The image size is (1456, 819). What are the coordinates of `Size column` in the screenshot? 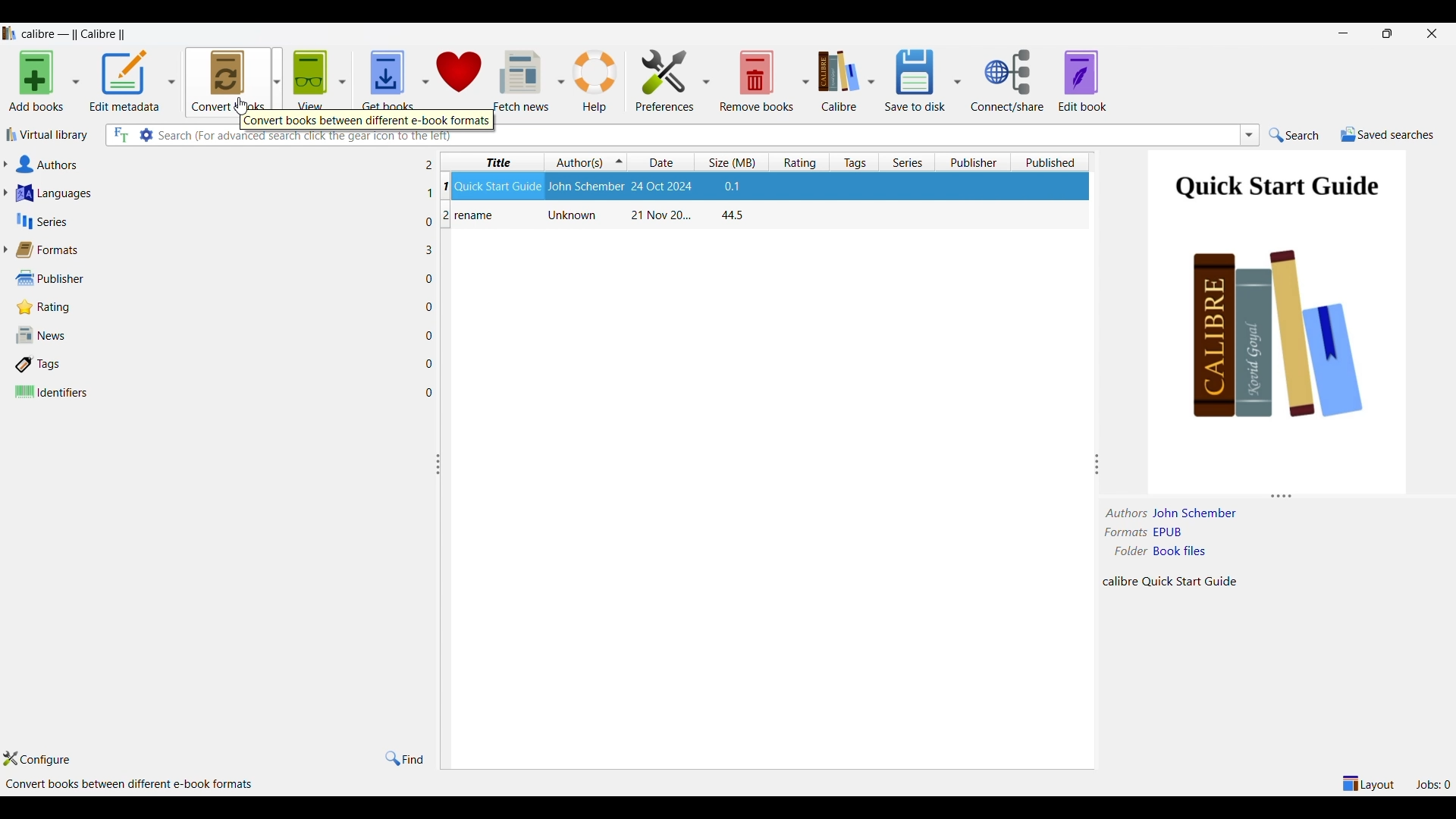 It's located at (731, 162).